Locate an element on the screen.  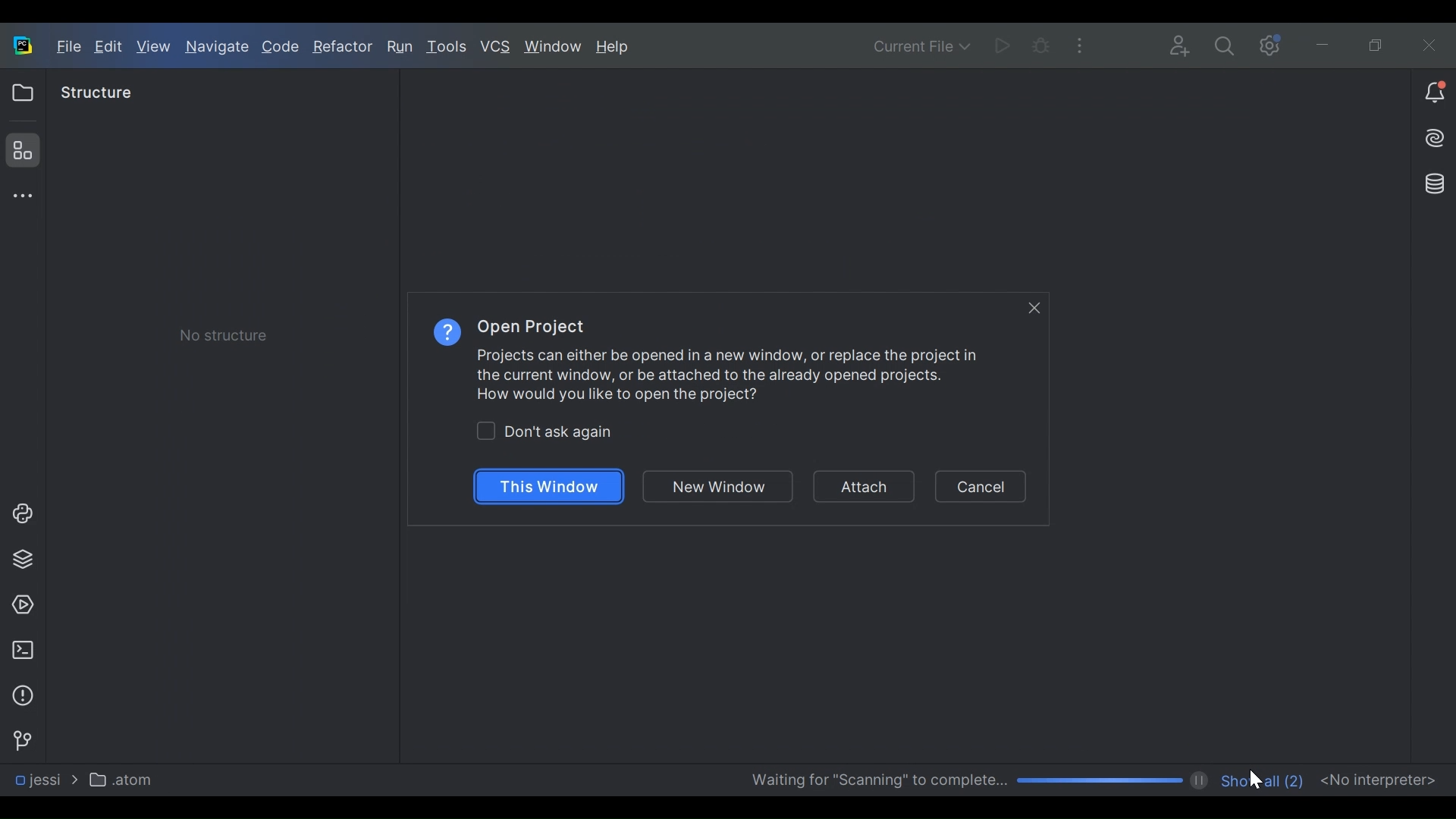
Database is located at coordinates (1431, 182).